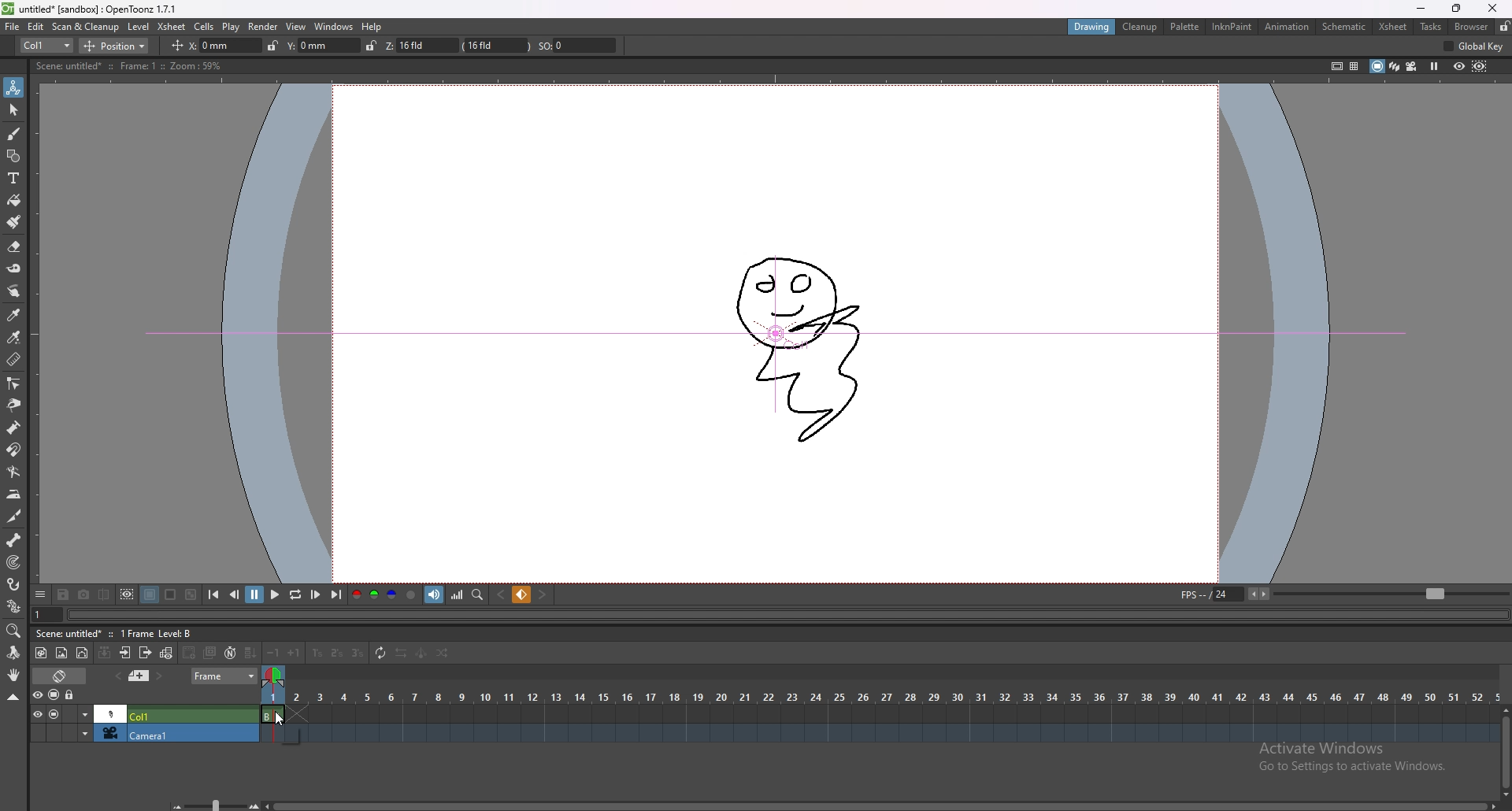 Image resolution: width=1512 pixels, height=811 pixels. I want to click on preview toggle, so click(35, 694).